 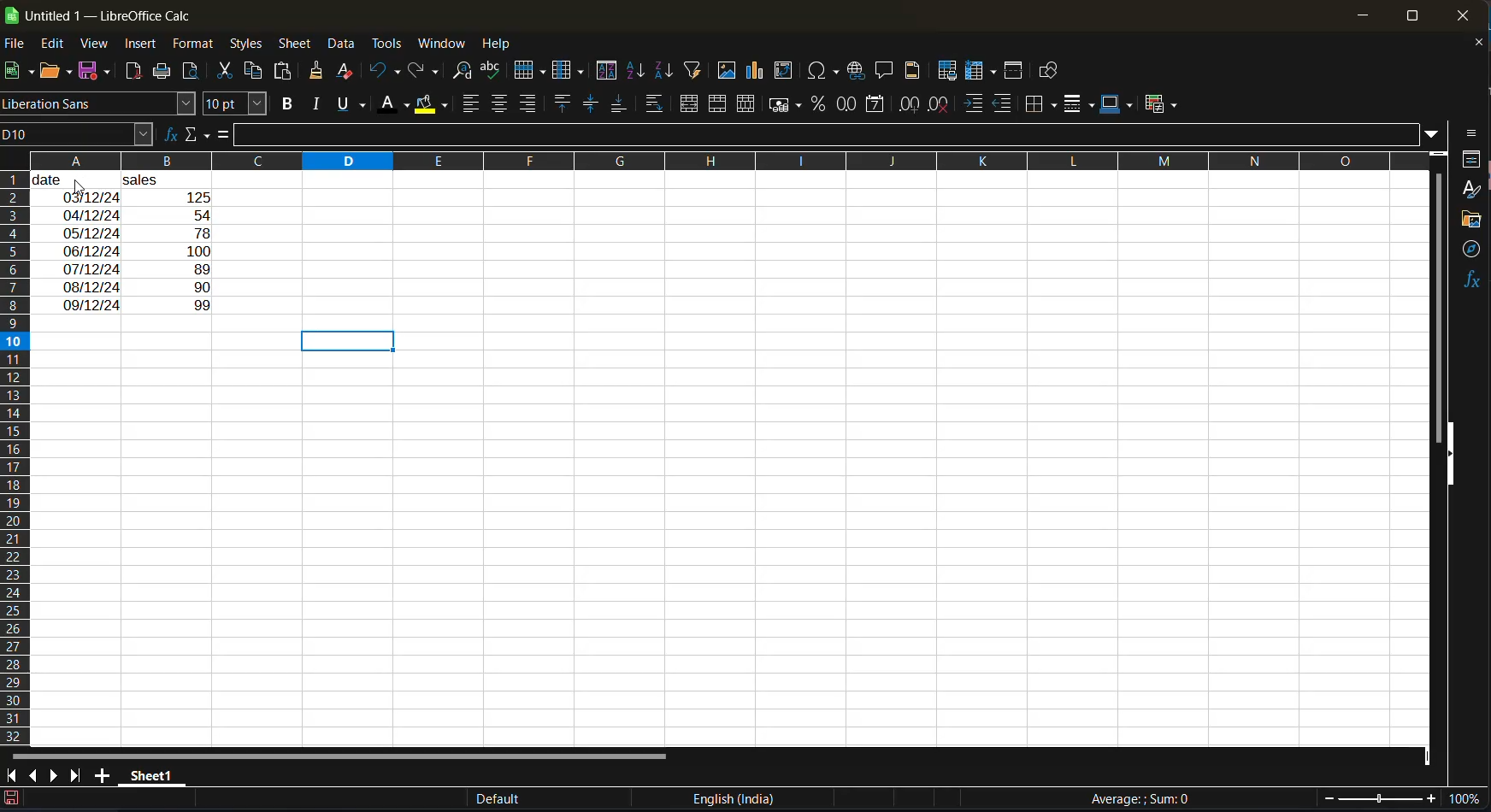 I want to click on scroll to previous sheet, so click(x=33, y=774).